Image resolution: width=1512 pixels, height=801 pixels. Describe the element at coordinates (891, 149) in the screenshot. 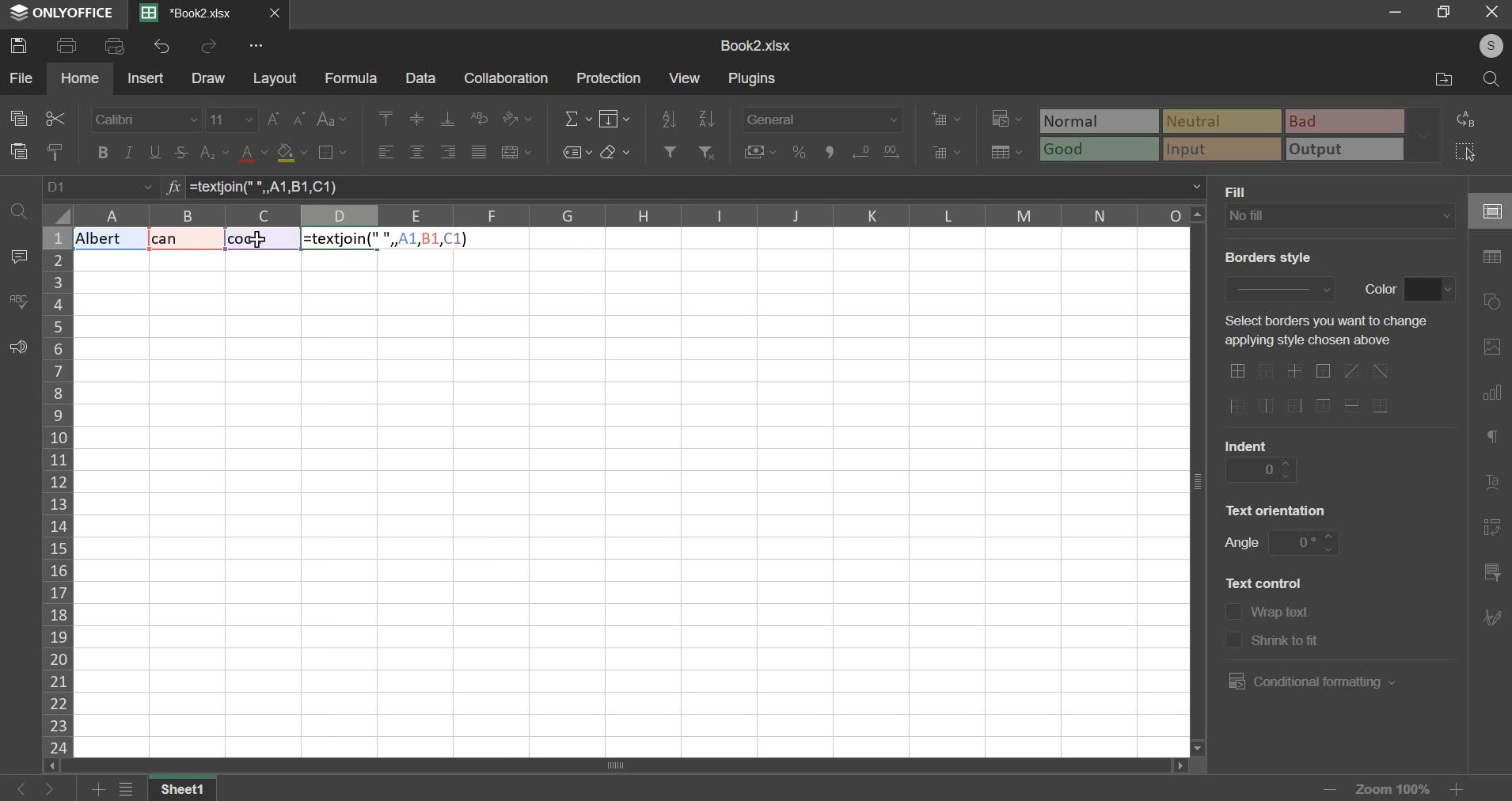

I see `decrease decimals` at that location.